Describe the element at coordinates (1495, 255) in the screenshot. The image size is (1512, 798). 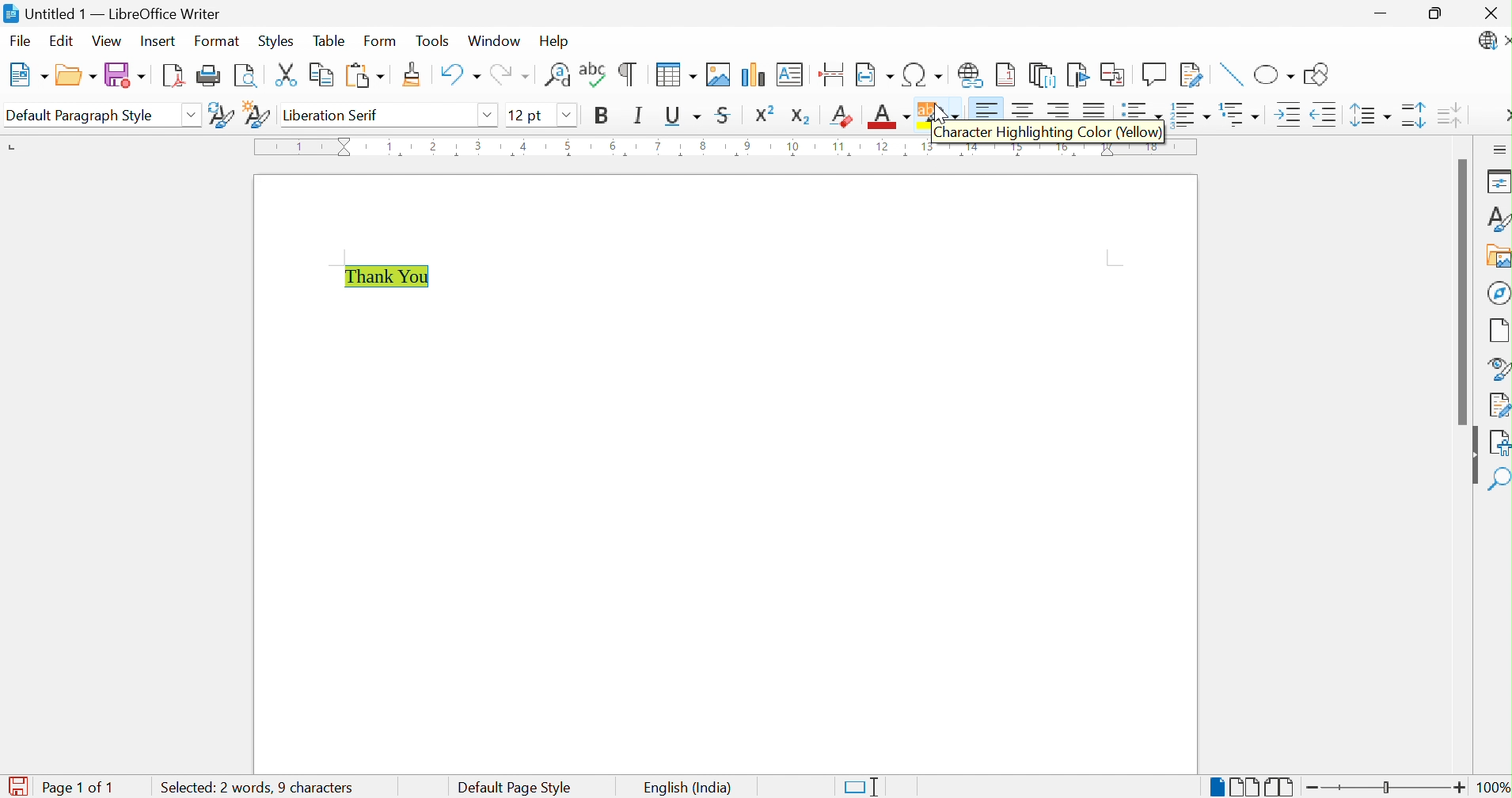
I see `Gallery` at that location.